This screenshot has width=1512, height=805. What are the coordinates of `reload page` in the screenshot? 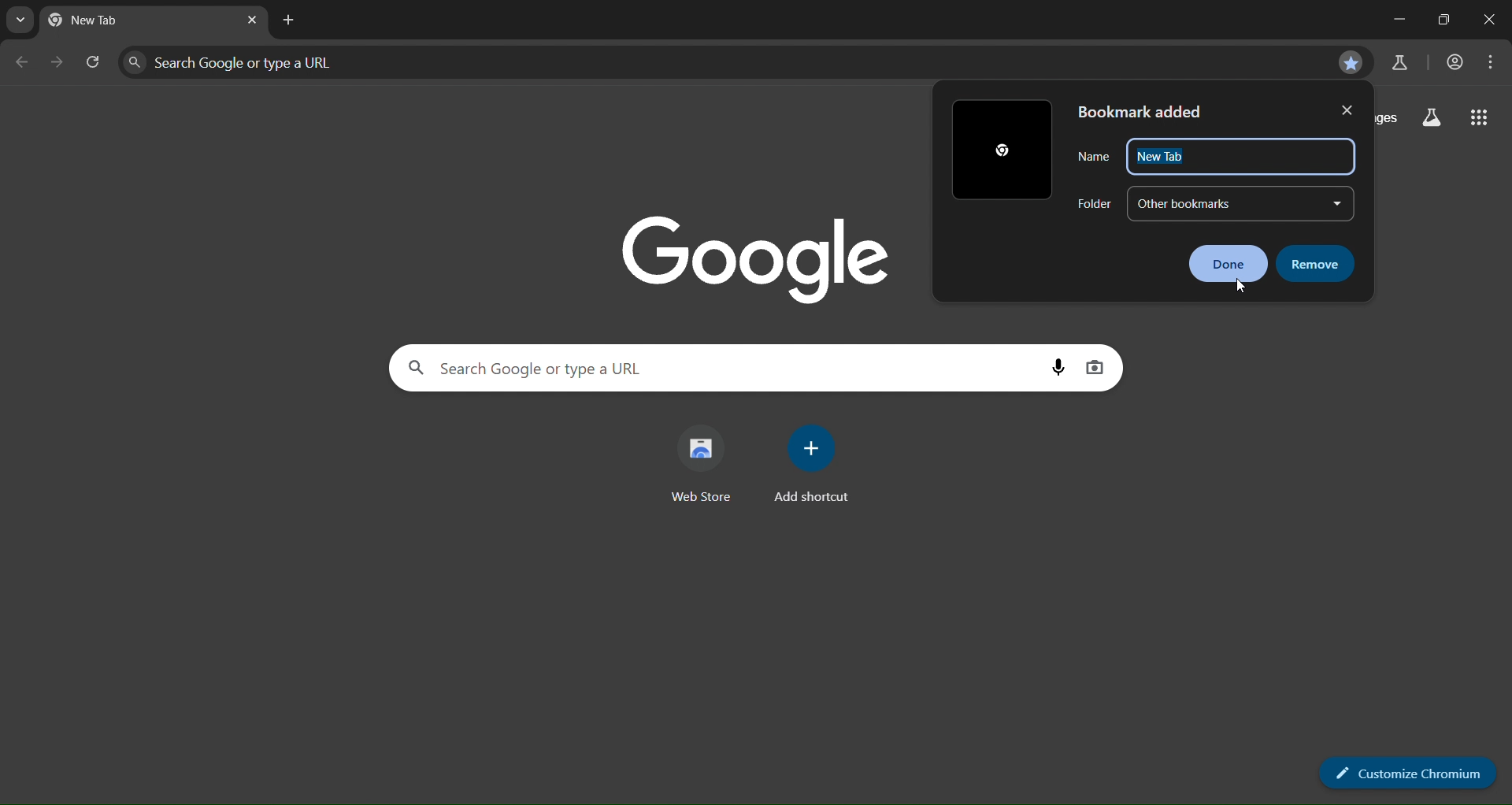 It's located at (95, 64).